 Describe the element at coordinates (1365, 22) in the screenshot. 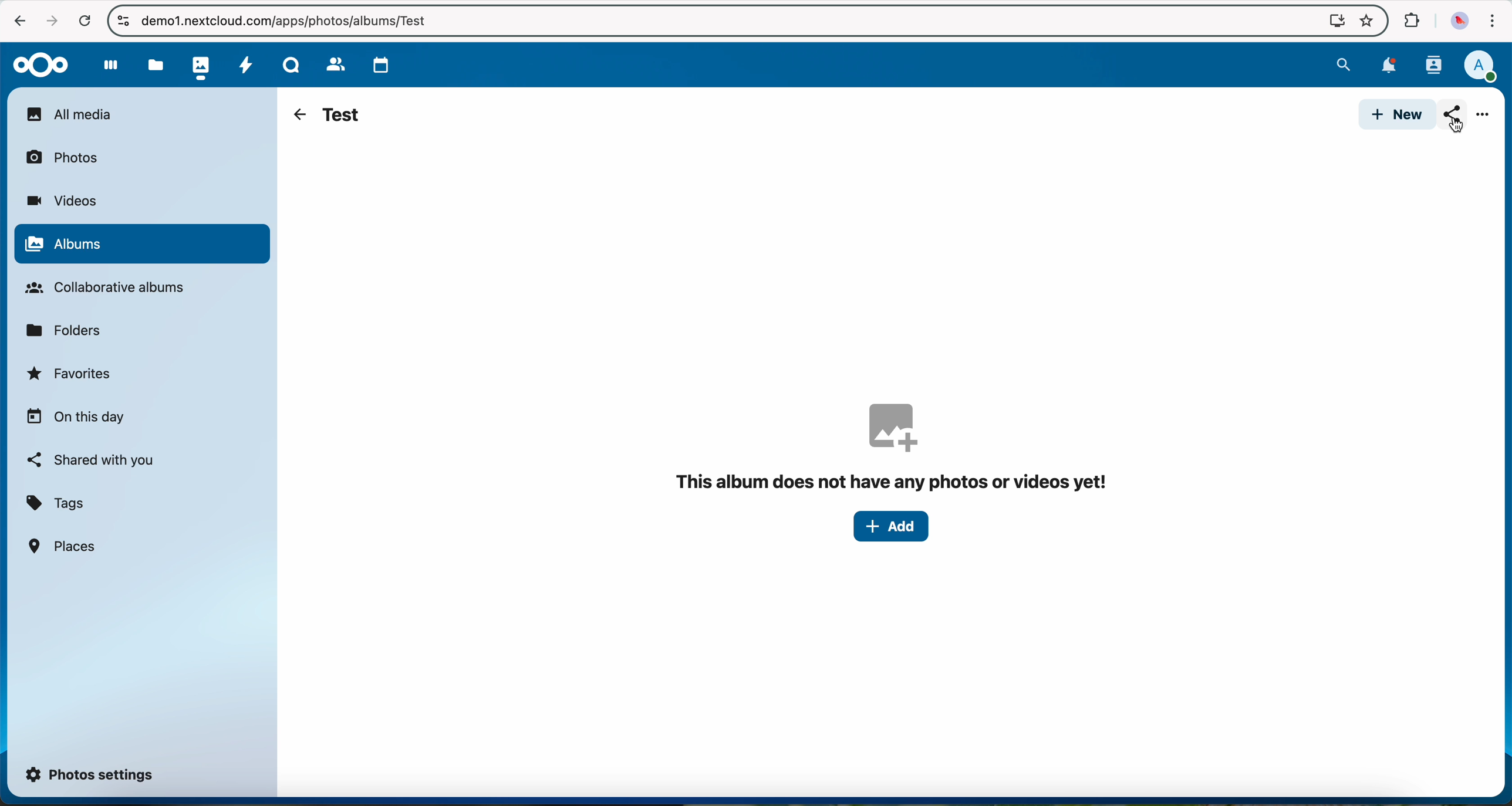

I see `favorites` at that location.